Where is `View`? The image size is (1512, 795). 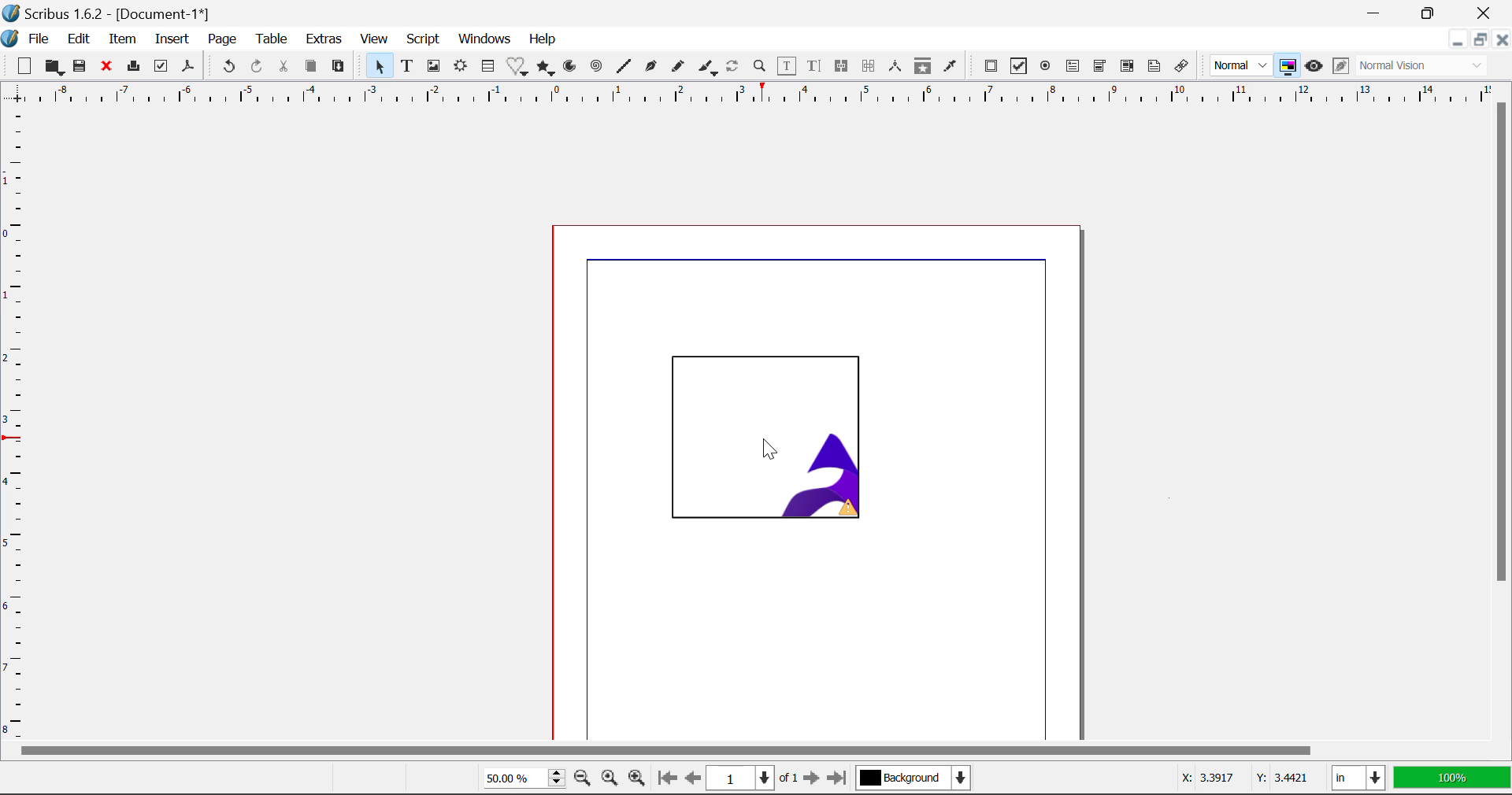
View is located at coordinates (373, 39).